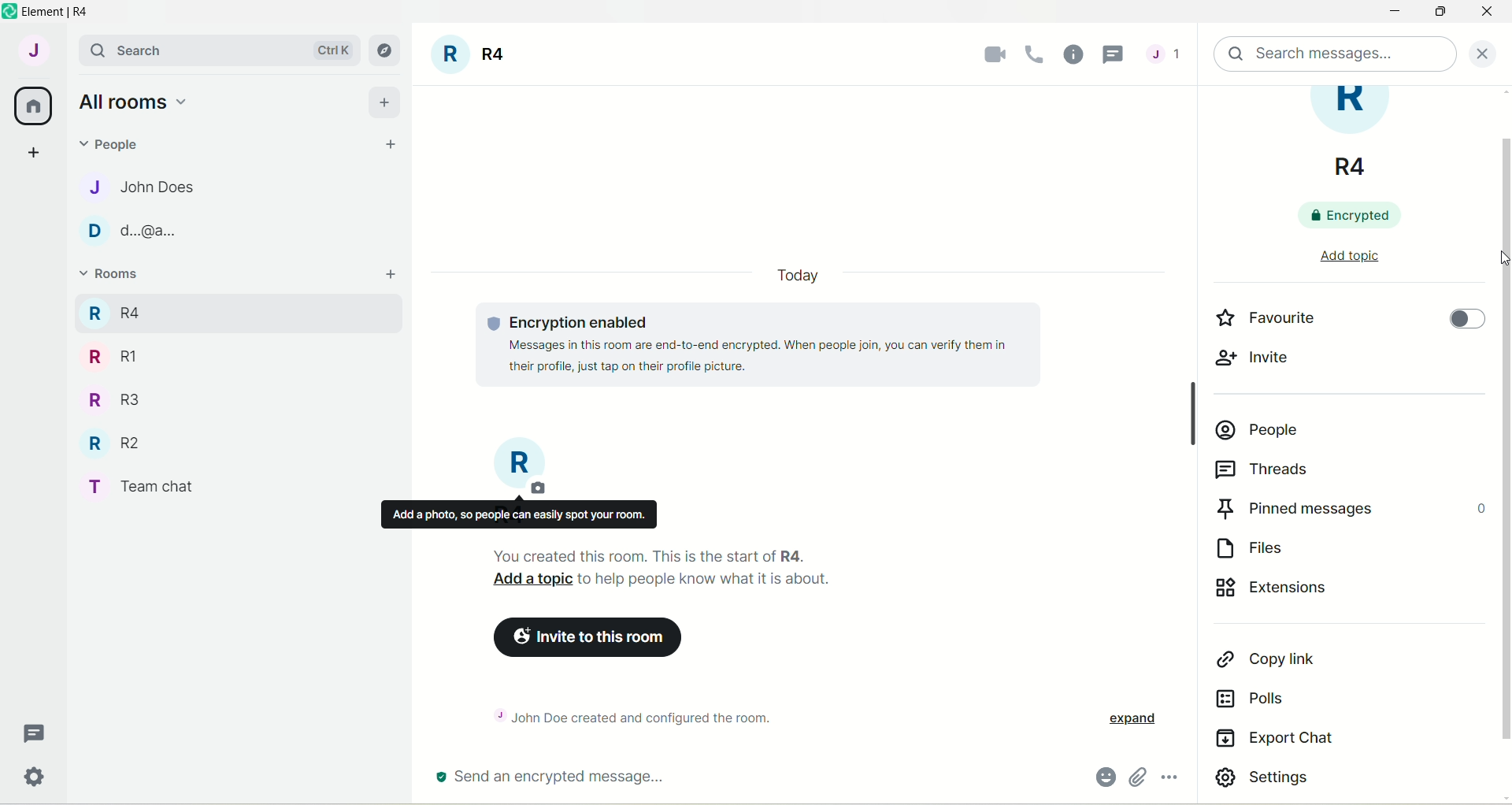 Image resolution: width=1512 pixels, height=805 pixels. I want to click on room title, so click(1359, 134).